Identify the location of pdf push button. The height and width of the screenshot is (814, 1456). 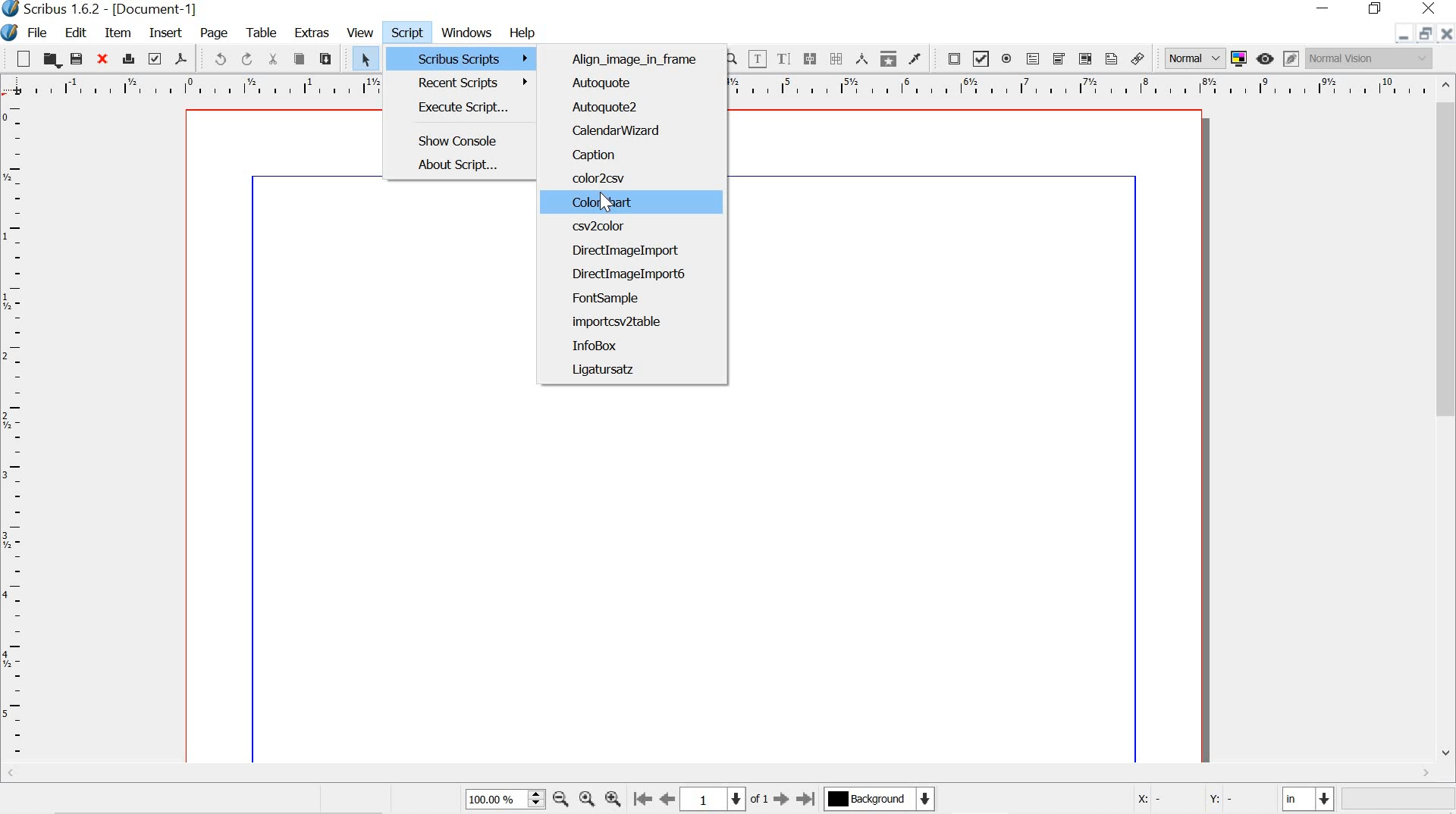
(950, 58).